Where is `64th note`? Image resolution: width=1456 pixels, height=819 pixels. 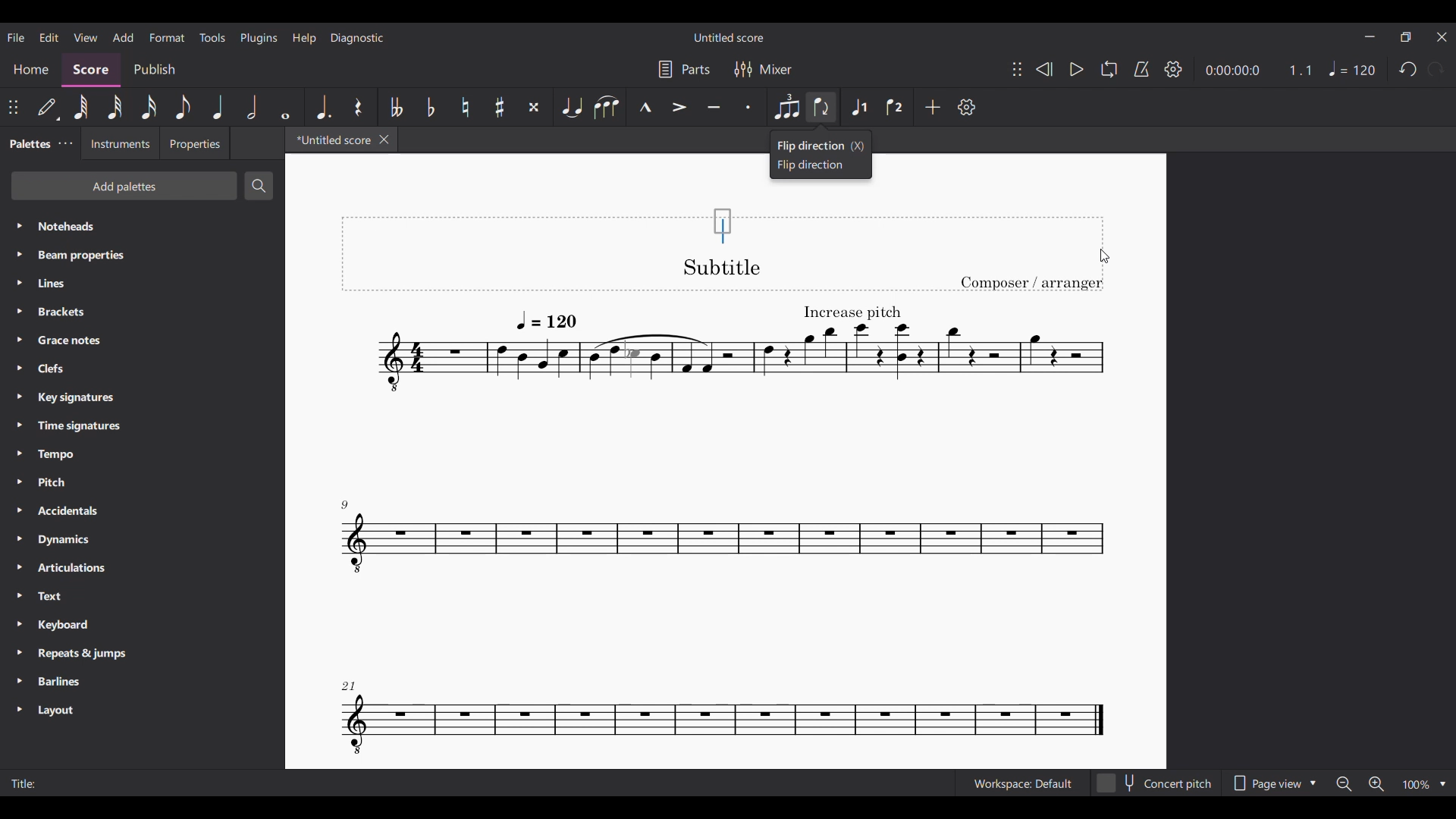 64th note is located at coordinates (81, 107).